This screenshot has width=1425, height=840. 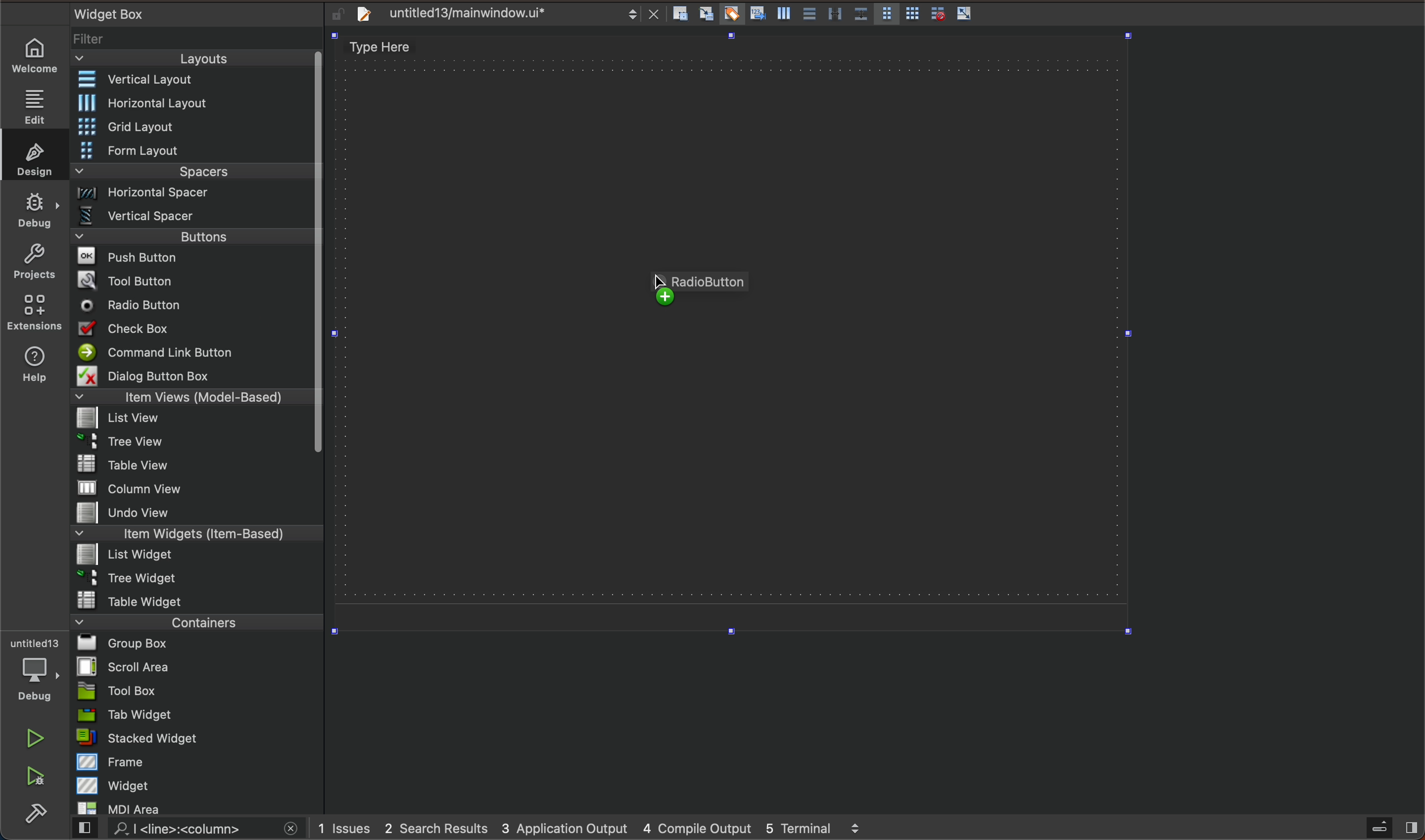 I want to click on , so click(x=886, y=15).